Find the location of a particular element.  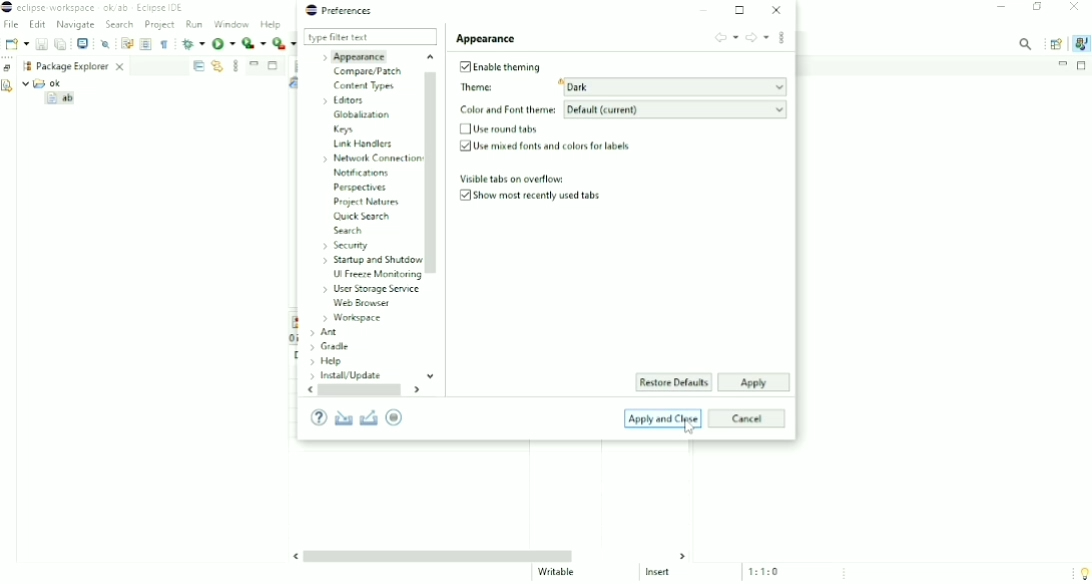

Keys is located at coordinates (344, 129).